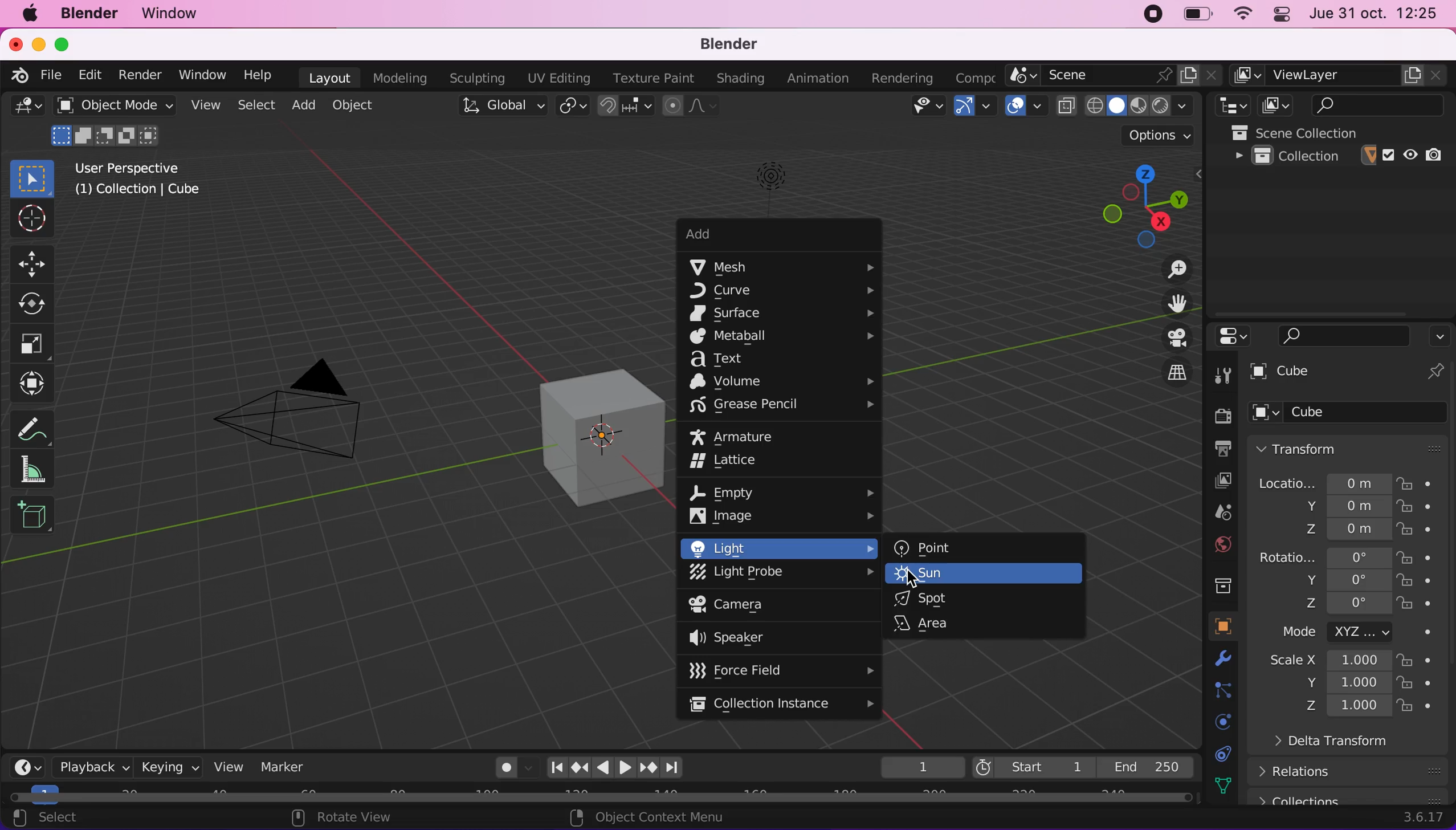  Describe the element at coordinates (1351, 447) in the screenshot. I see `transform` at that location.